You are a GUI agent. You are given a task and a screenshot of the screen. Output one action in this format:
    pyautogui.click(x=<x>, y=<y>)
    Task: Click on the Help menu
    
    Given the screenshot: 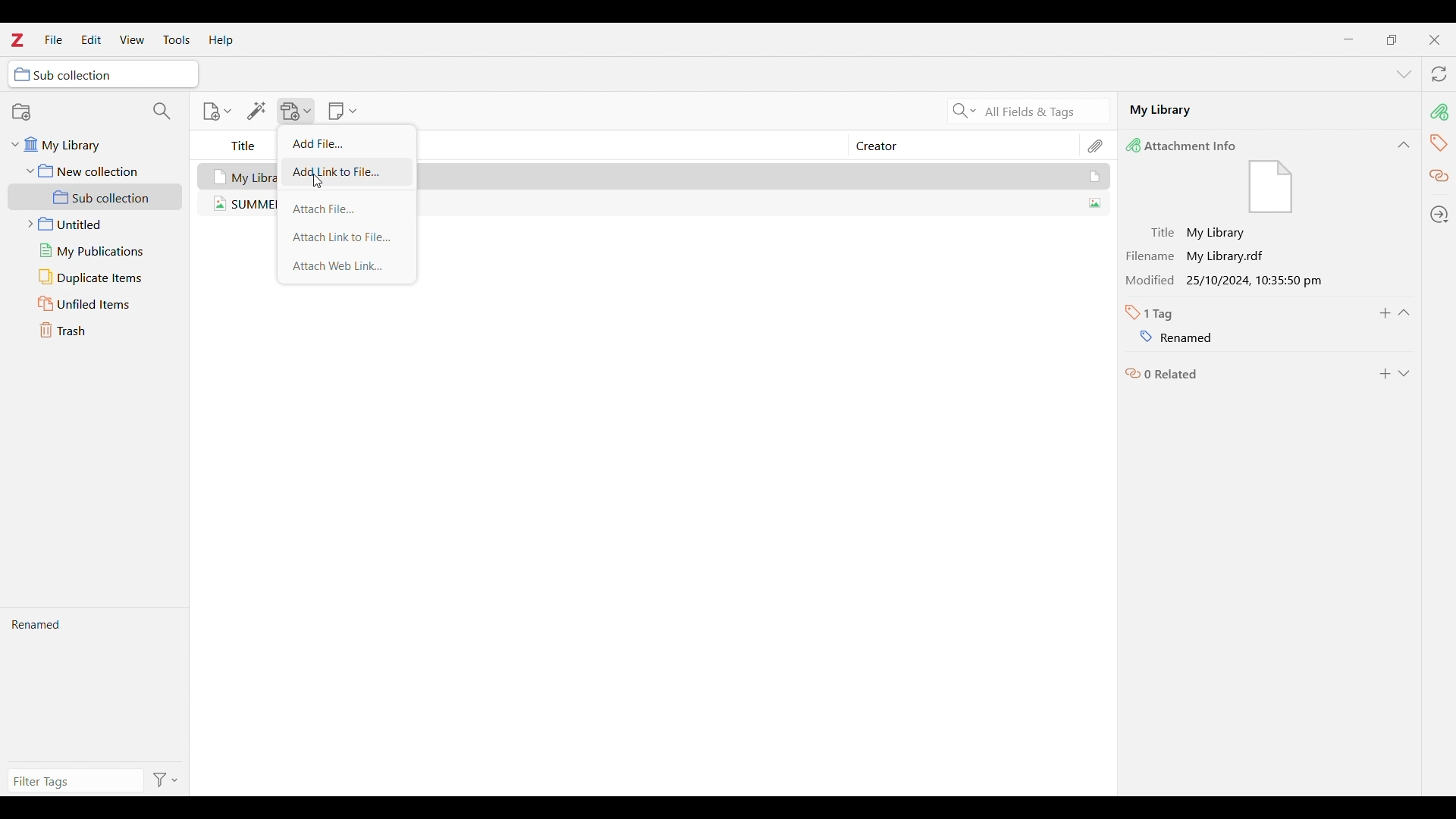 What is the action you would take?
    pyautogui.click(x=221, y=40)
    